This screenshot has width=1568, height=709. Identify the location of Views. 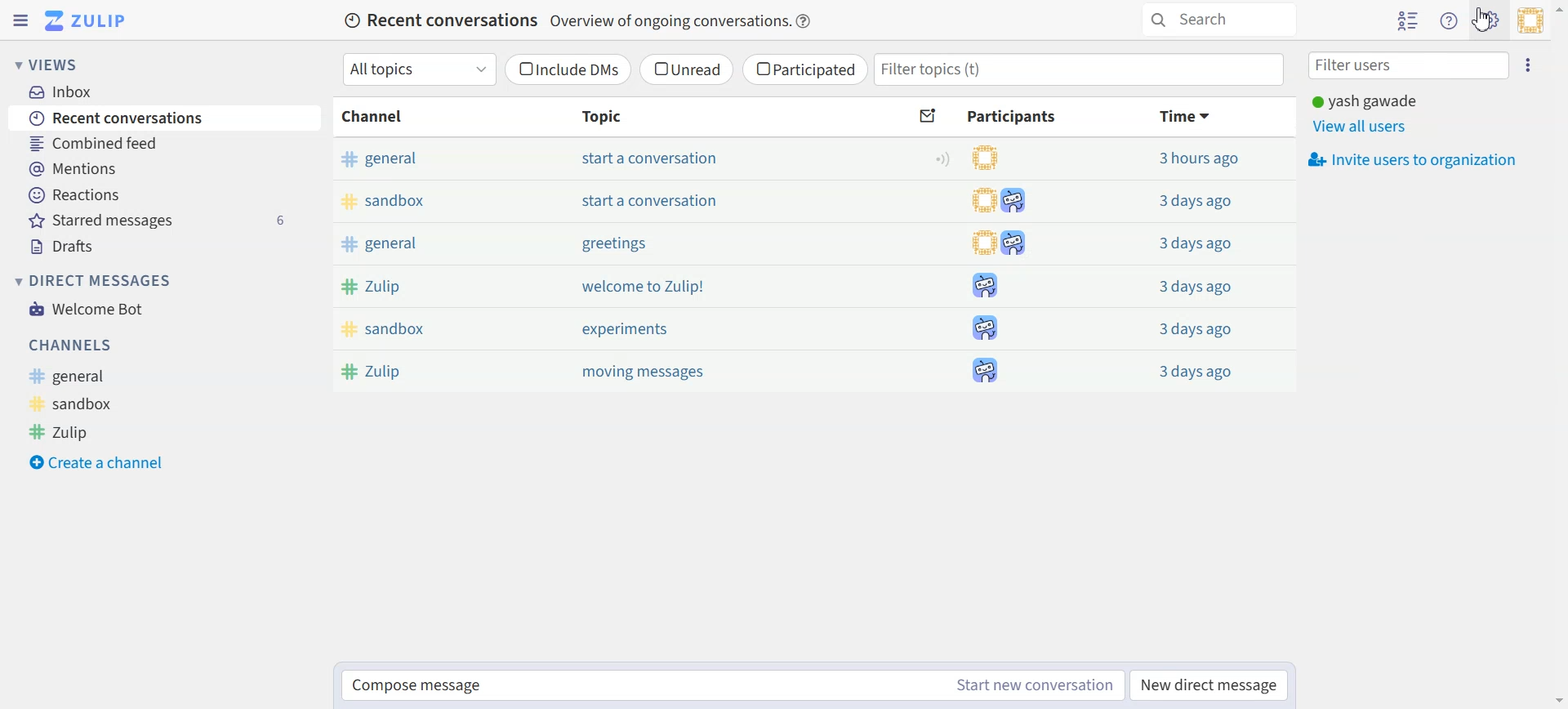
(50, 65).